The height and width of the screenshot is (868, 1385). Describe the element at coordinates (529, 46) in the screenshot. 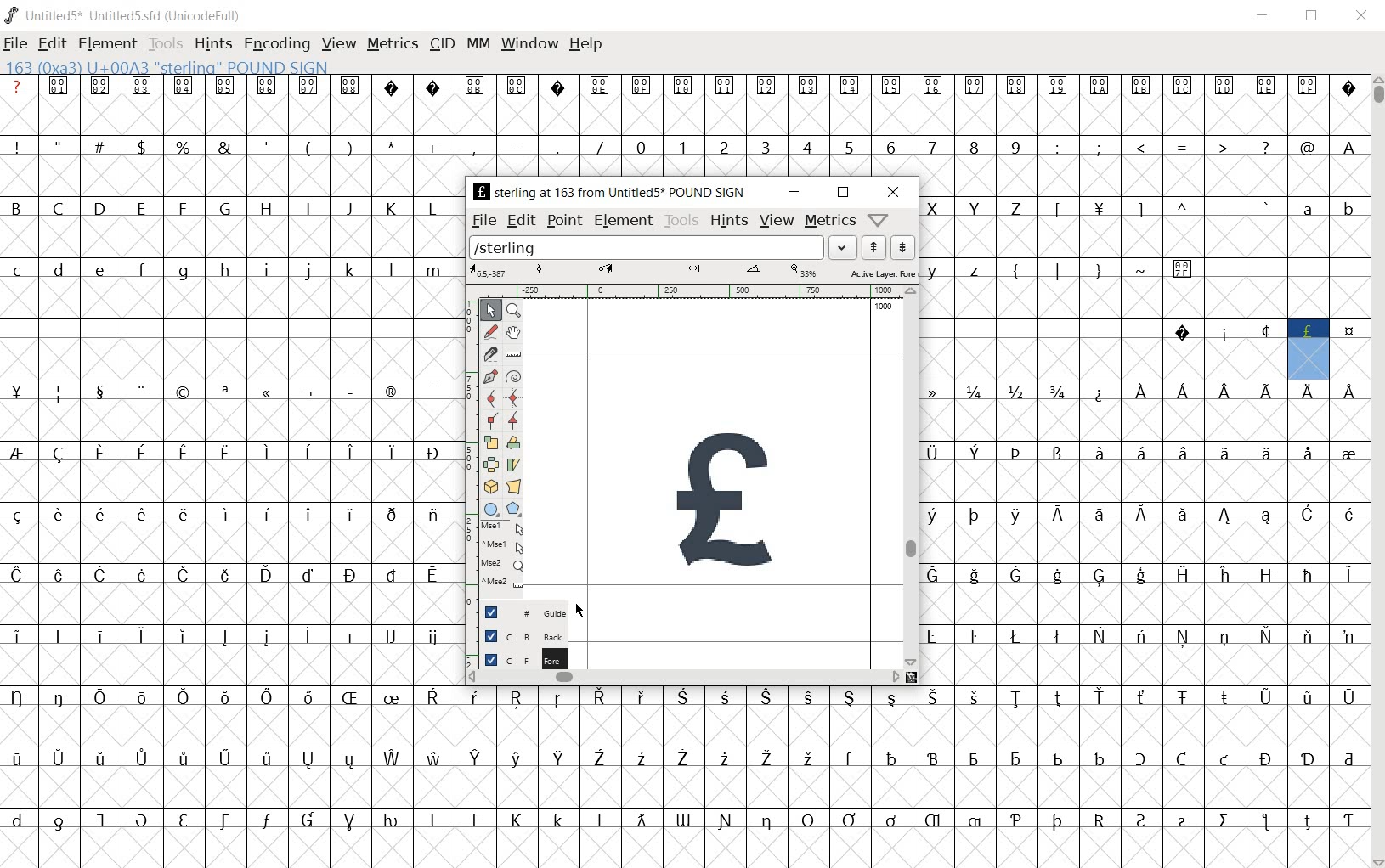

I see `WINDOW` at that location.